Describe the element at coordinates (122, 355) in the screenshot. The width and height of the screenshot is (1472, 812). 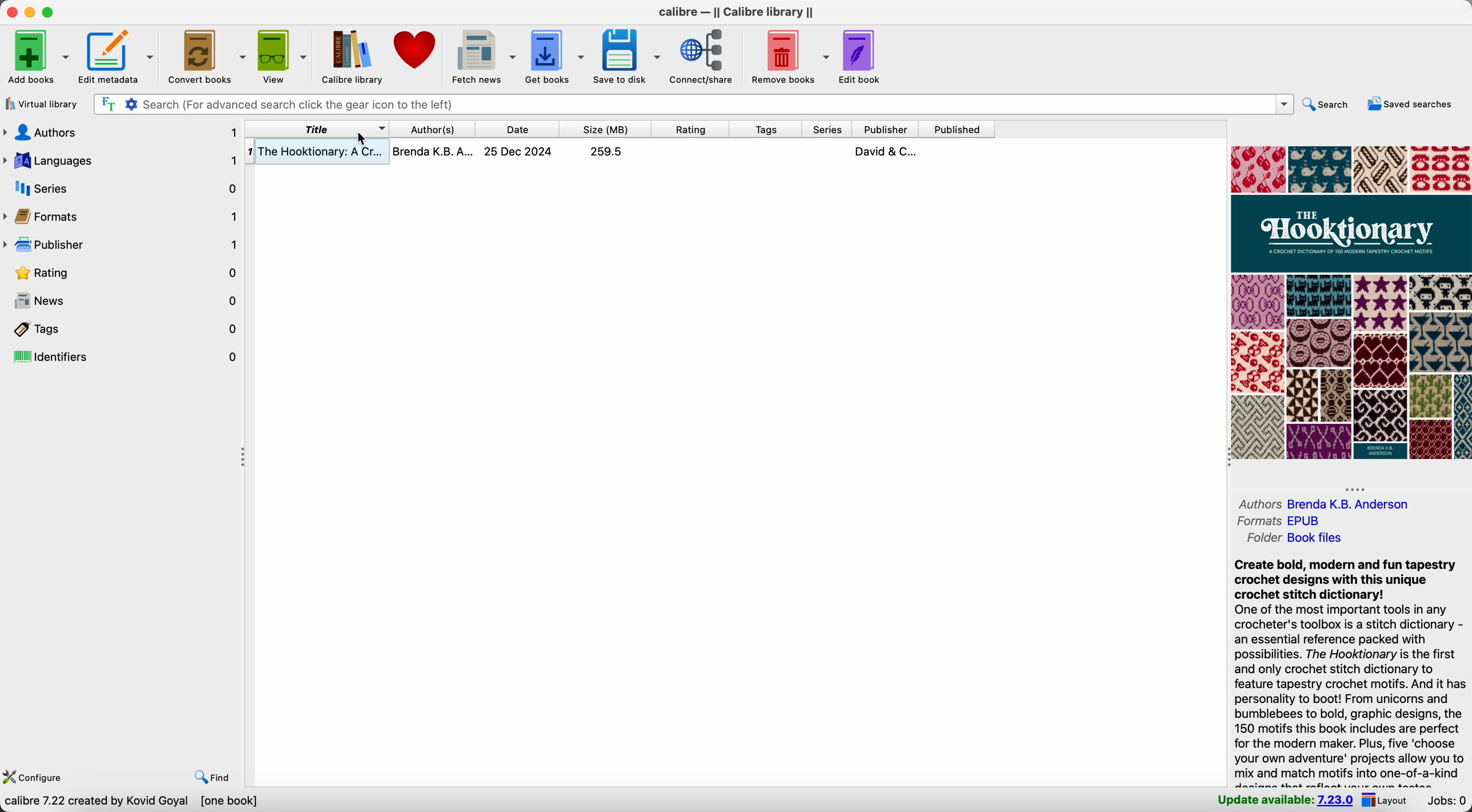
I see `identifiers` at that location.